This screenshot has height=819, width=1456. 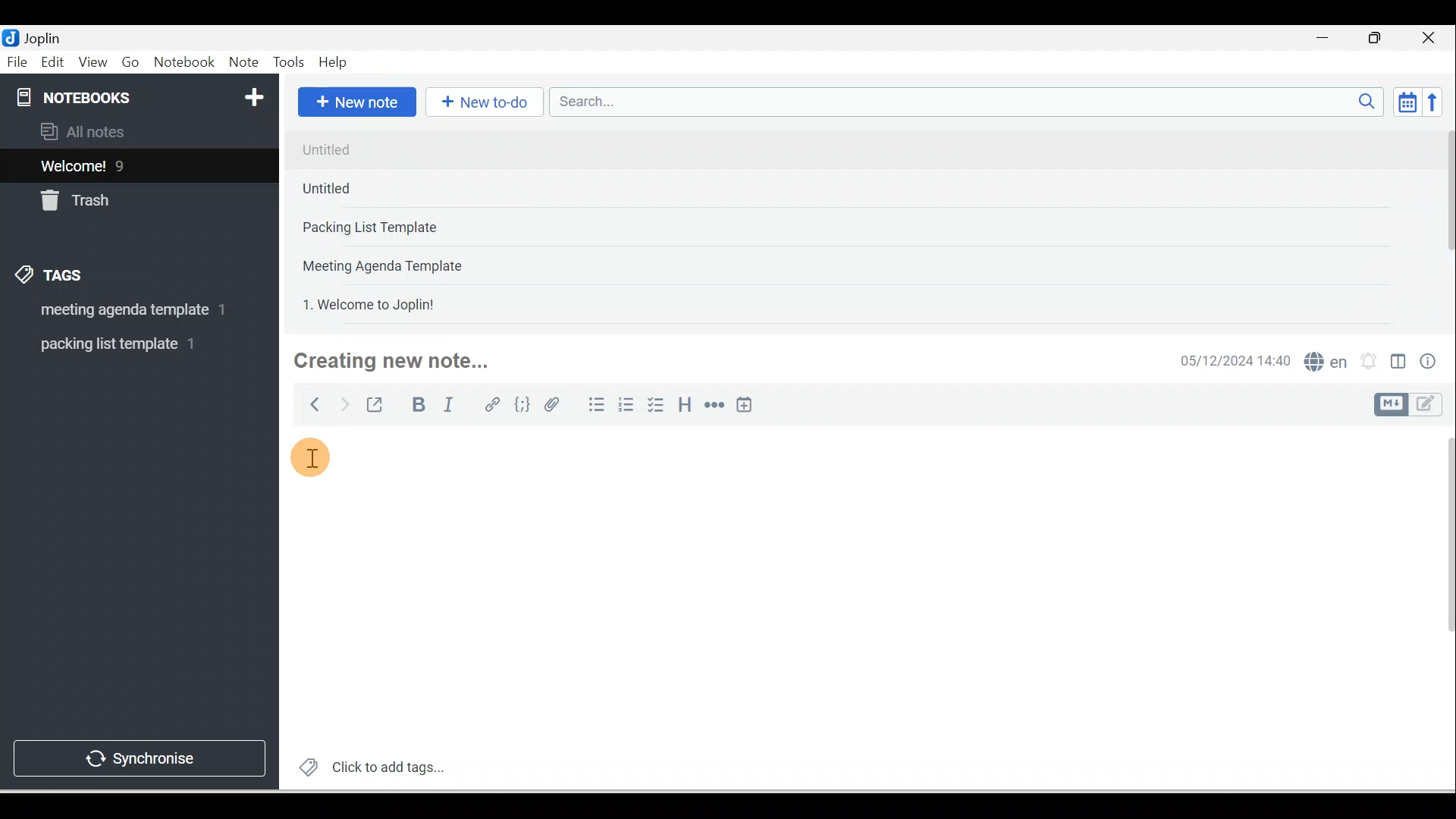 What do you see at coordinates (626, 404) in the screenshot?
I see `Numbered list` at bounding box center [626, 404].